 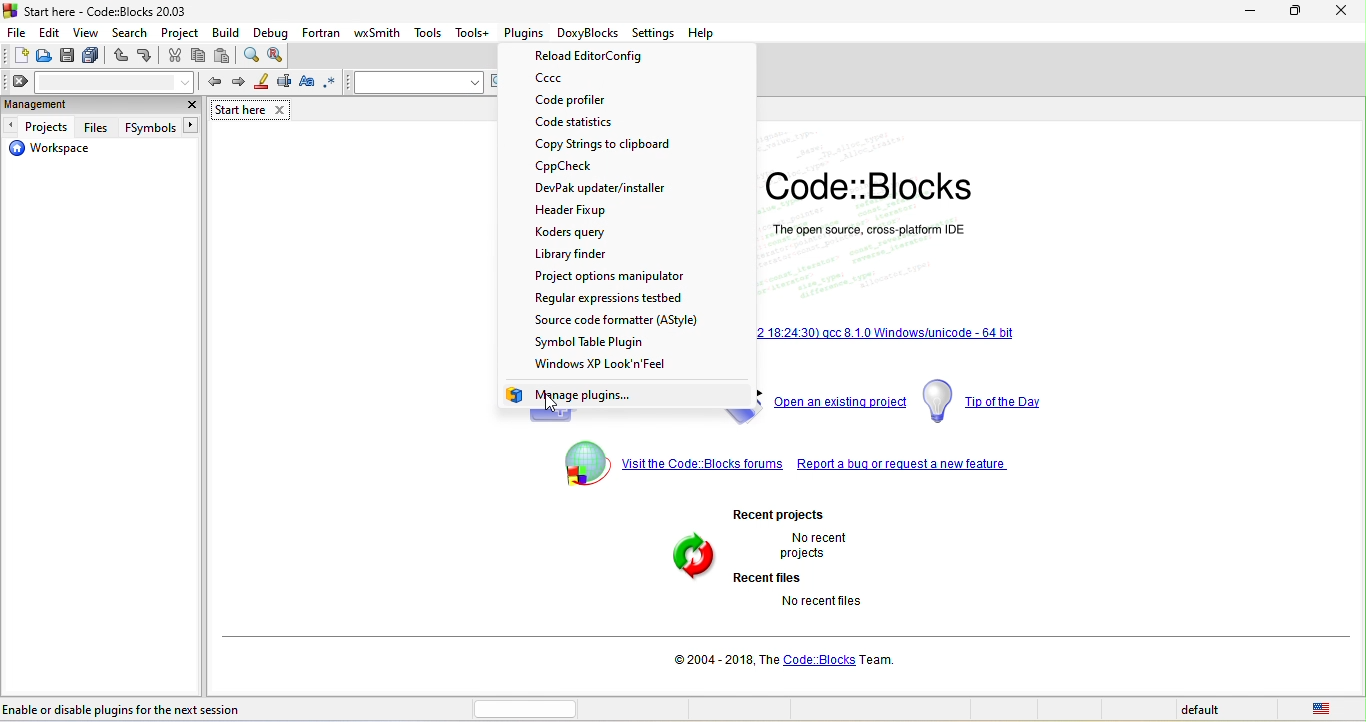 I want to click on save, so click(x=67, y=57).